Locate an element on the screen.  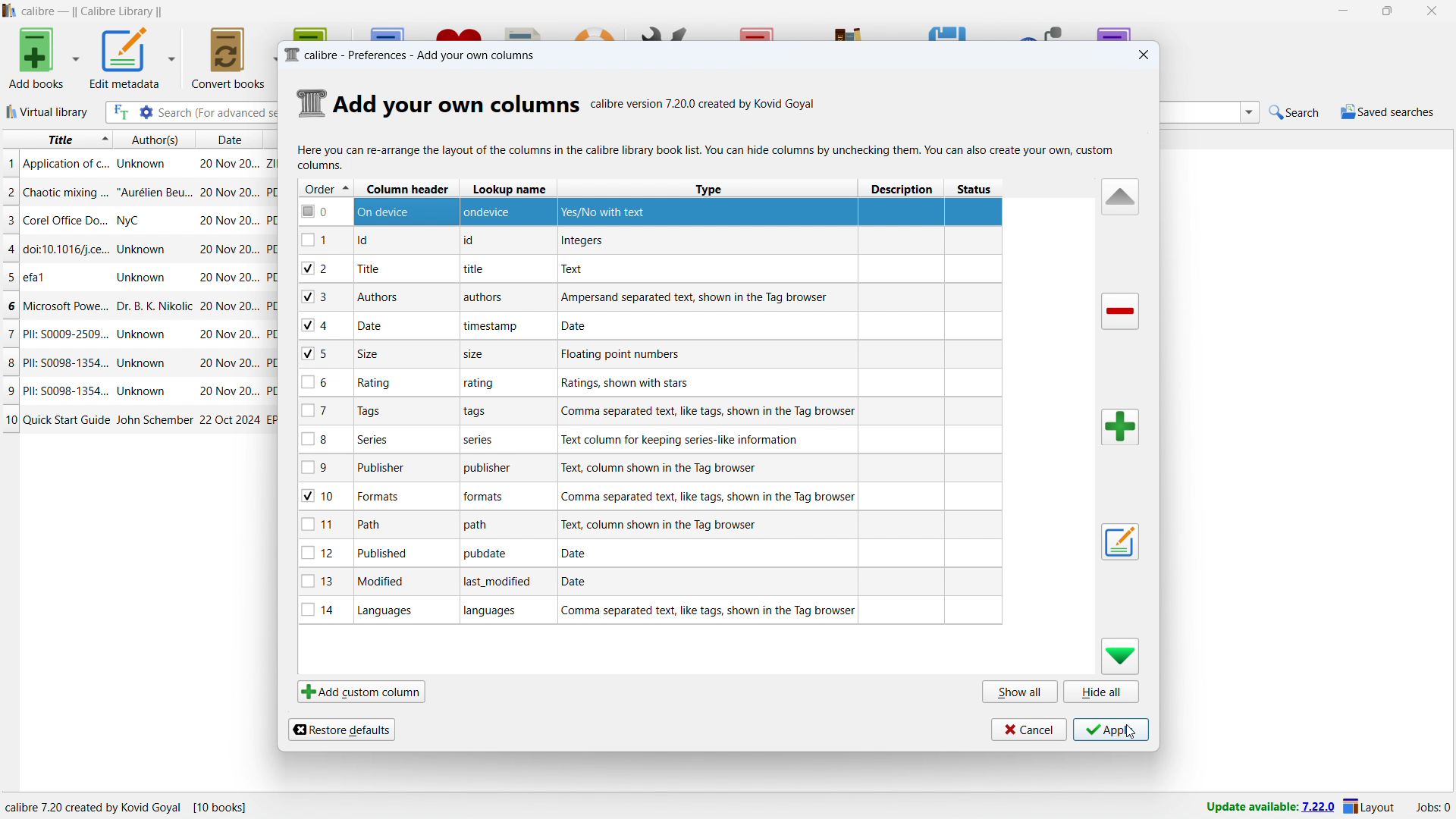
add books options is located at coordinates (77, 57).